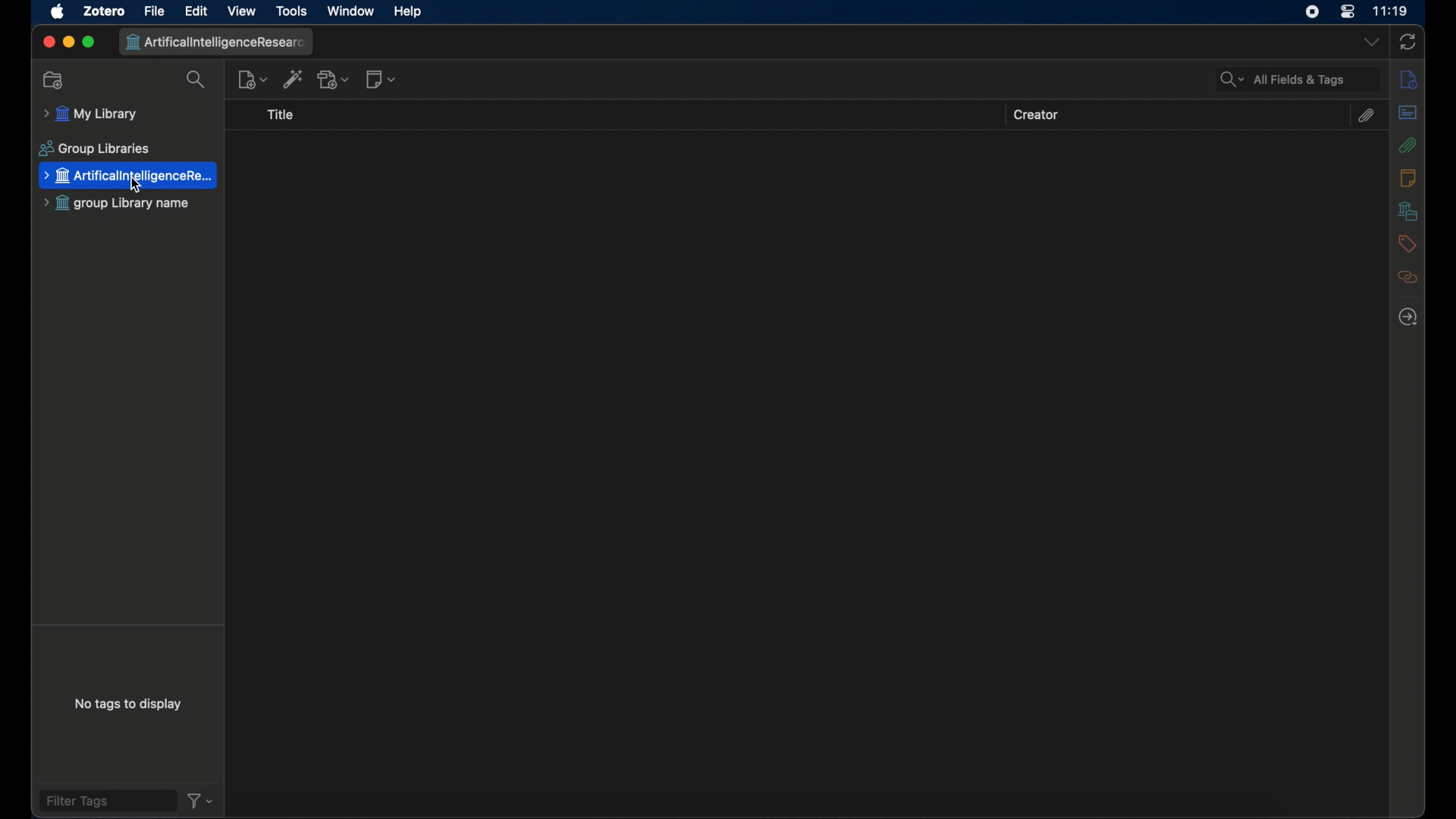 This screenshot has width=1456, height=819. Describe the element at coordinates (128, 114) in the screenshot. I see `my library` at that location.